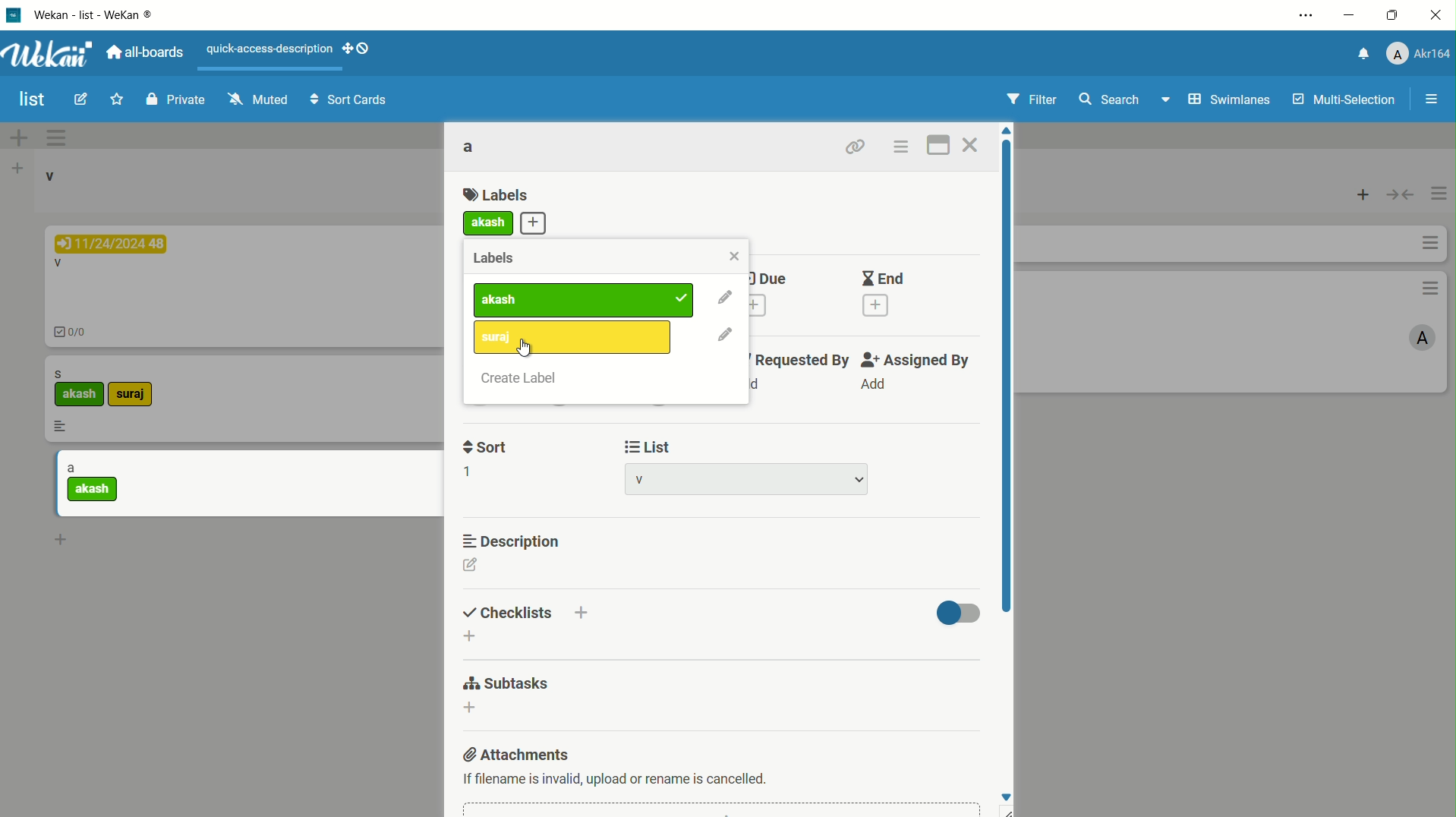 This screenshot has width=1456, height=817. What do you see at coordinates (1430, 241) in the screenshot?
I see `options` at bounding box center [1430, 241].